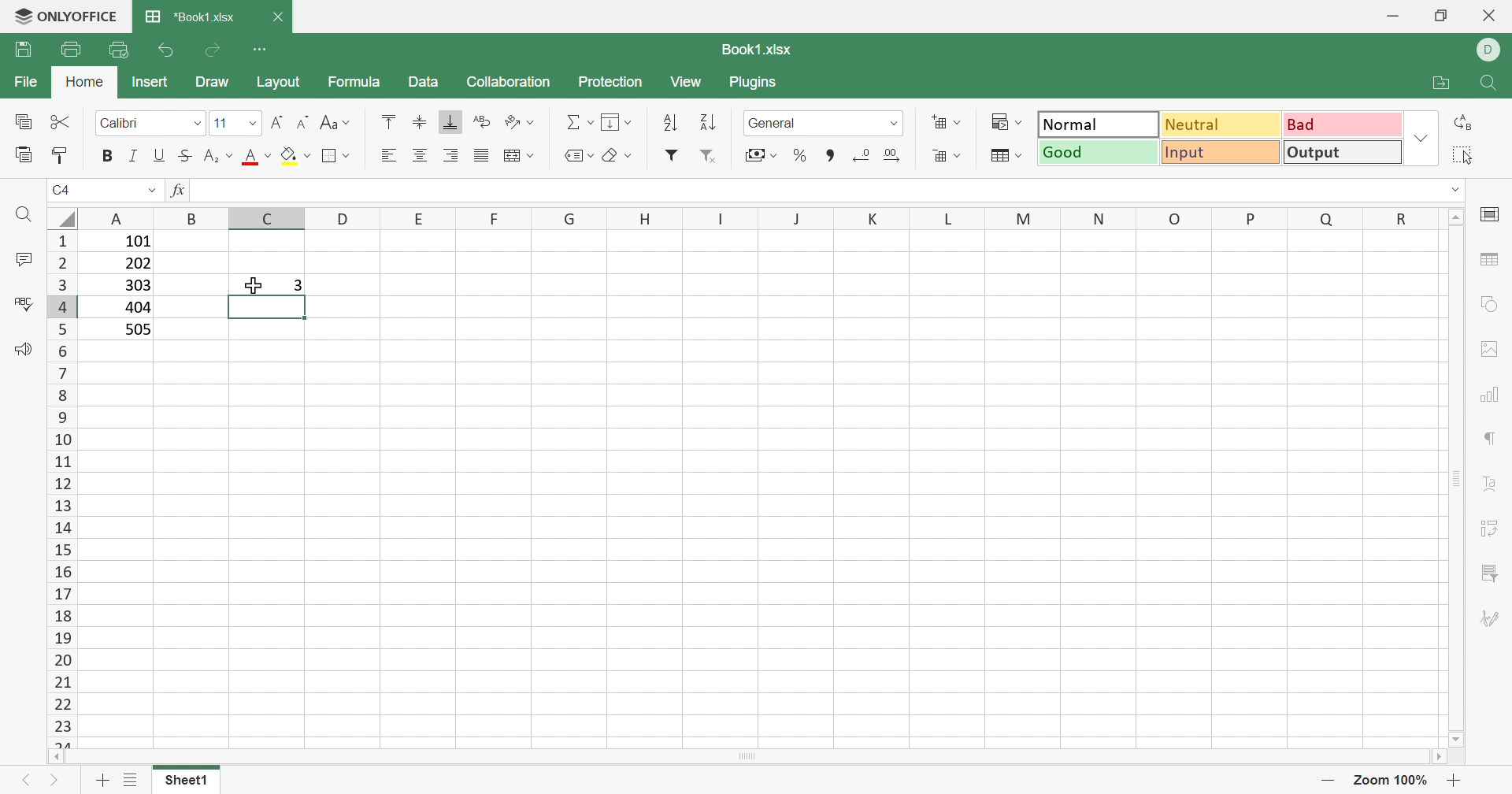 This screenshot has width=1512, height=794. What do you see at coordinates (299, 284) in the screenshot?
I see `3` at bounding box center [299, 284].